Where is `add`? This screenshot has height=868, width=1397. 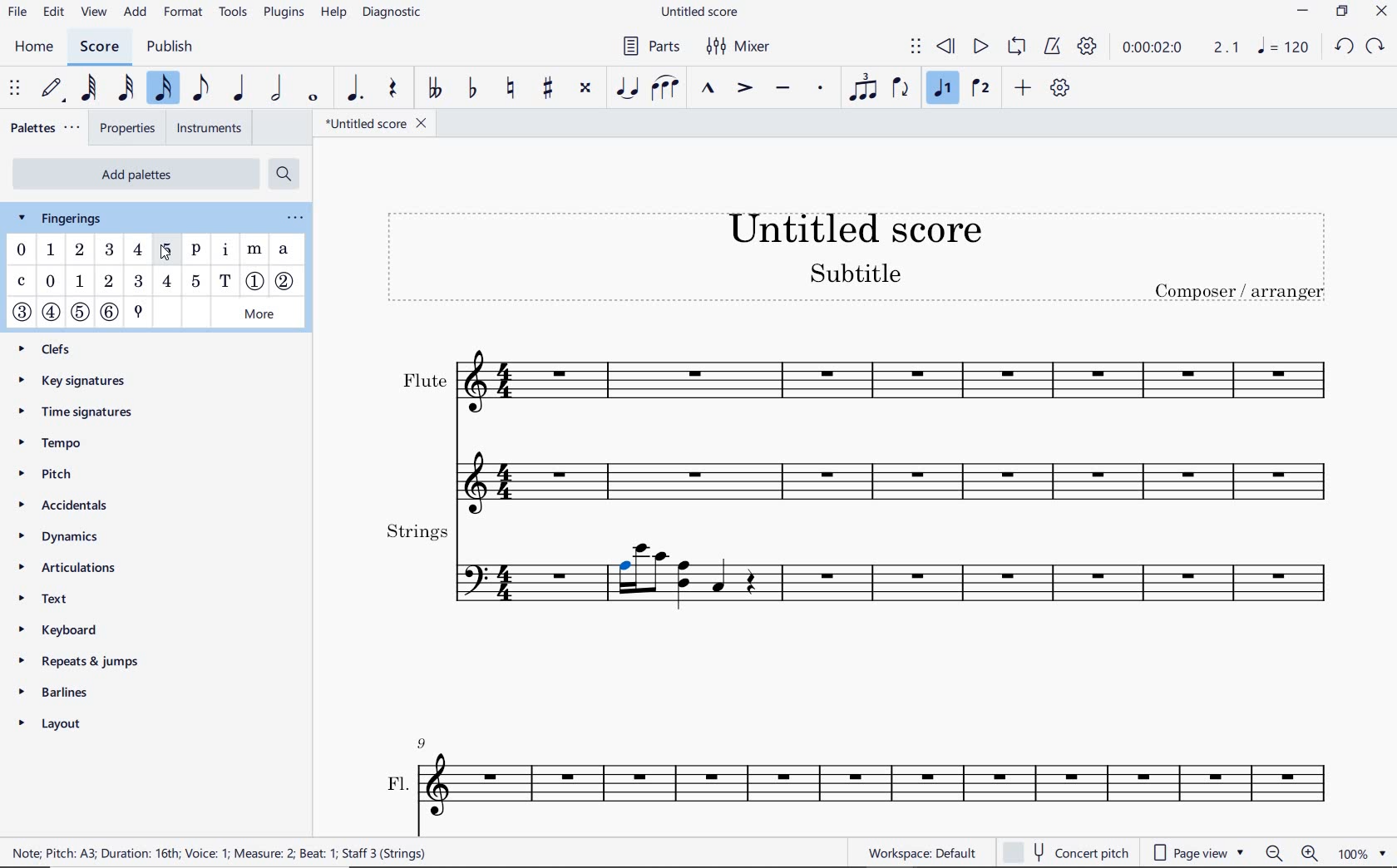
add is located at coordinates (1024, 86).